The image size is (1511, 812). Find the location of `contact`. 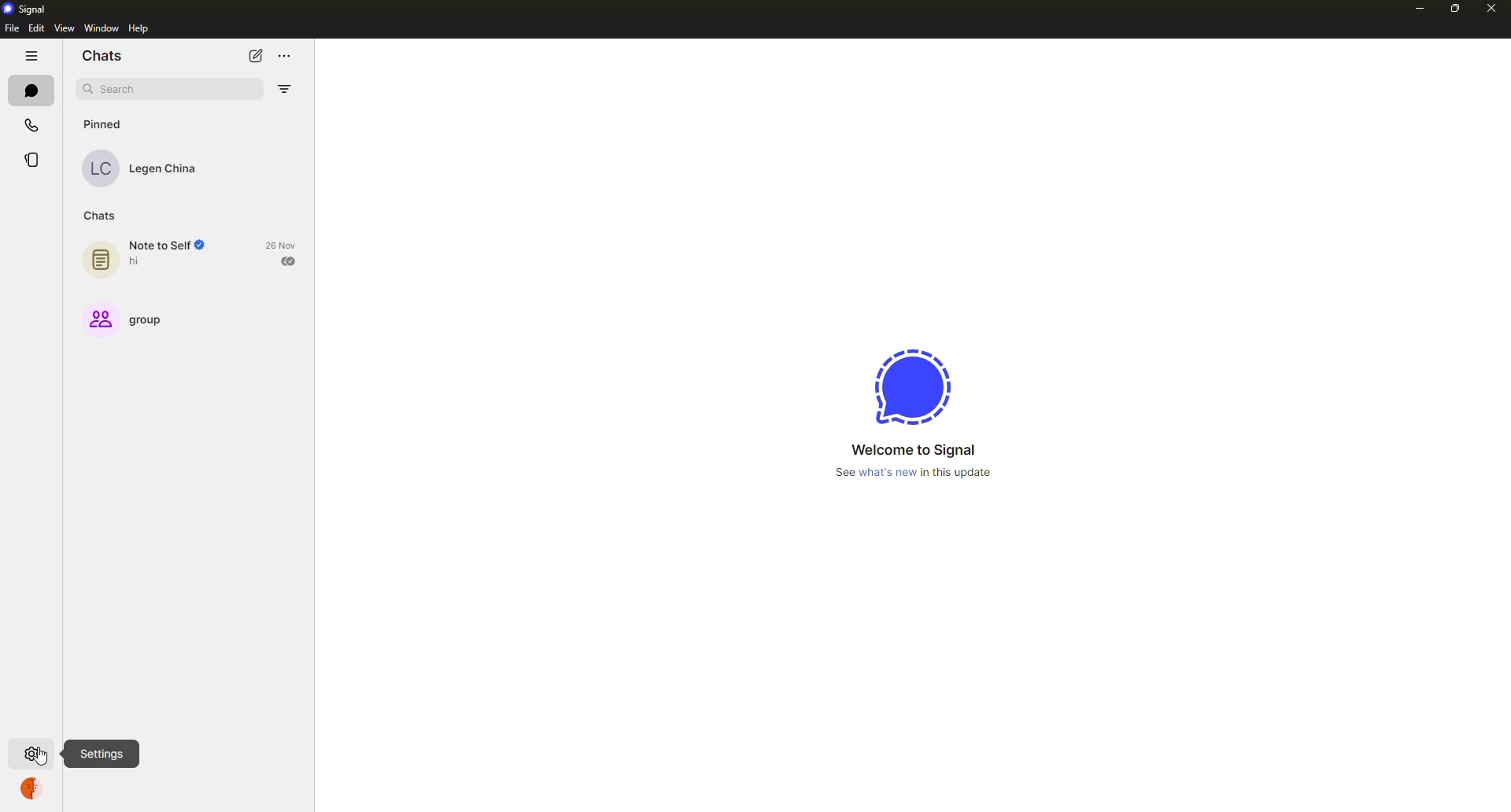

contact is located at coordinates (151, 168).